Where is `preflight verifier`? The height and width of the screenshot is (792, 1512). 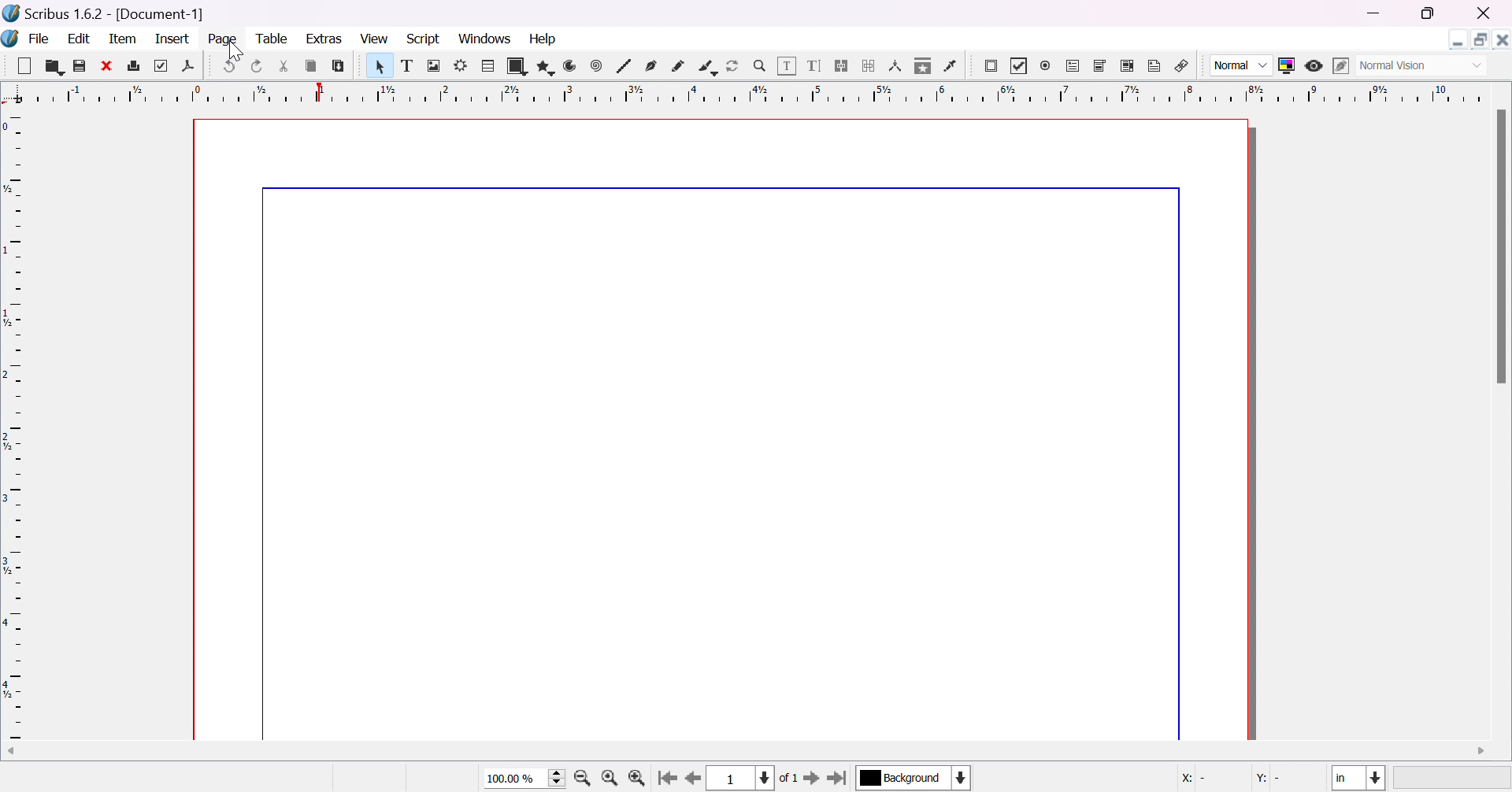
preflight verifier is located at coordinates (166, 65).